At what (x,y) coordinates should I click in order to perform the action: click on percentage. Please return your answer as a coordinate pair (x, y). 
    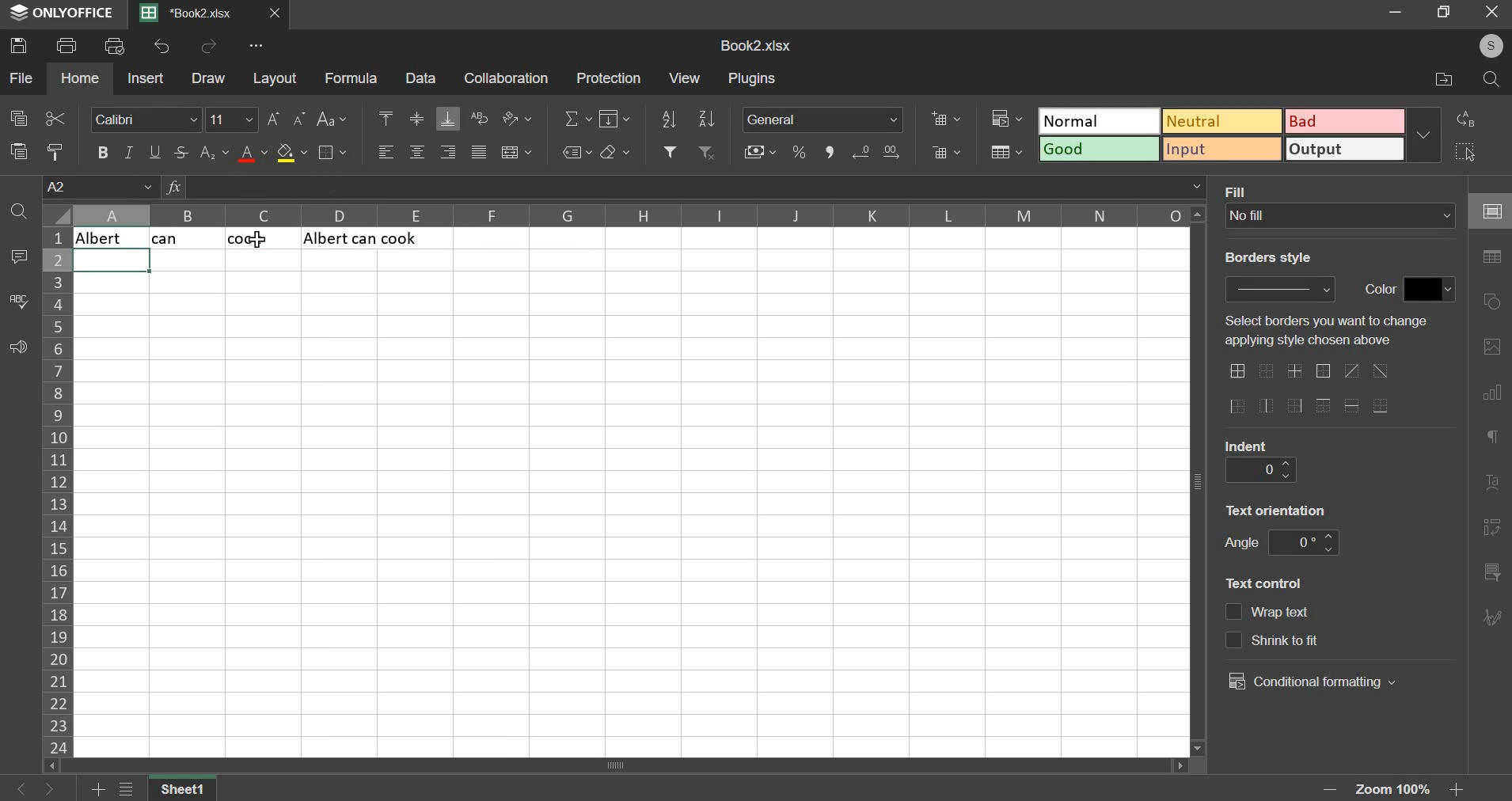
    Looking at the image, I should click on (798, 152).